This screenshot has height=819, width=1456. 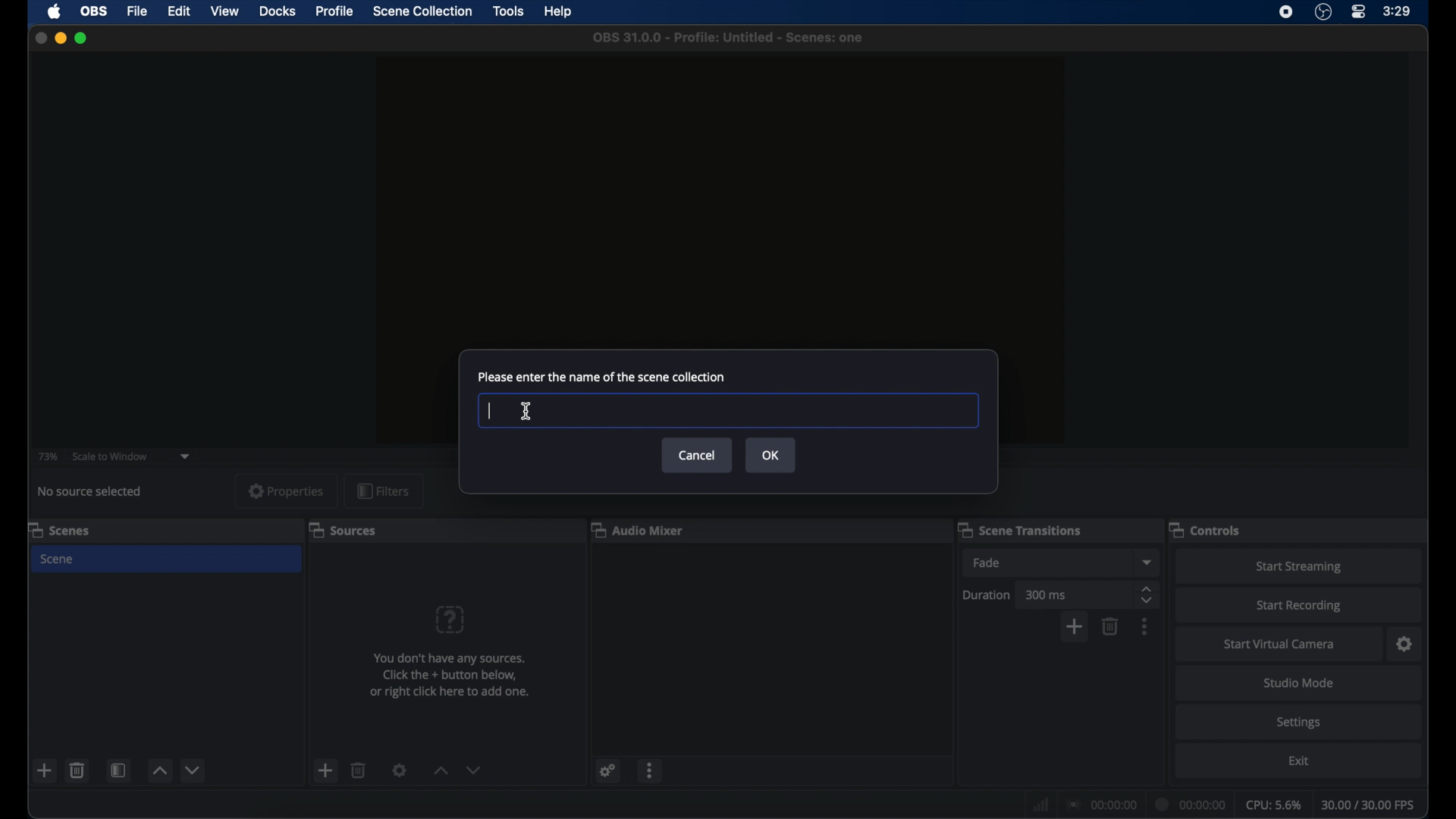 What do you see at coordinates (560, 12) in the screenshot?
I see `help` at bounding box center [560, 12].